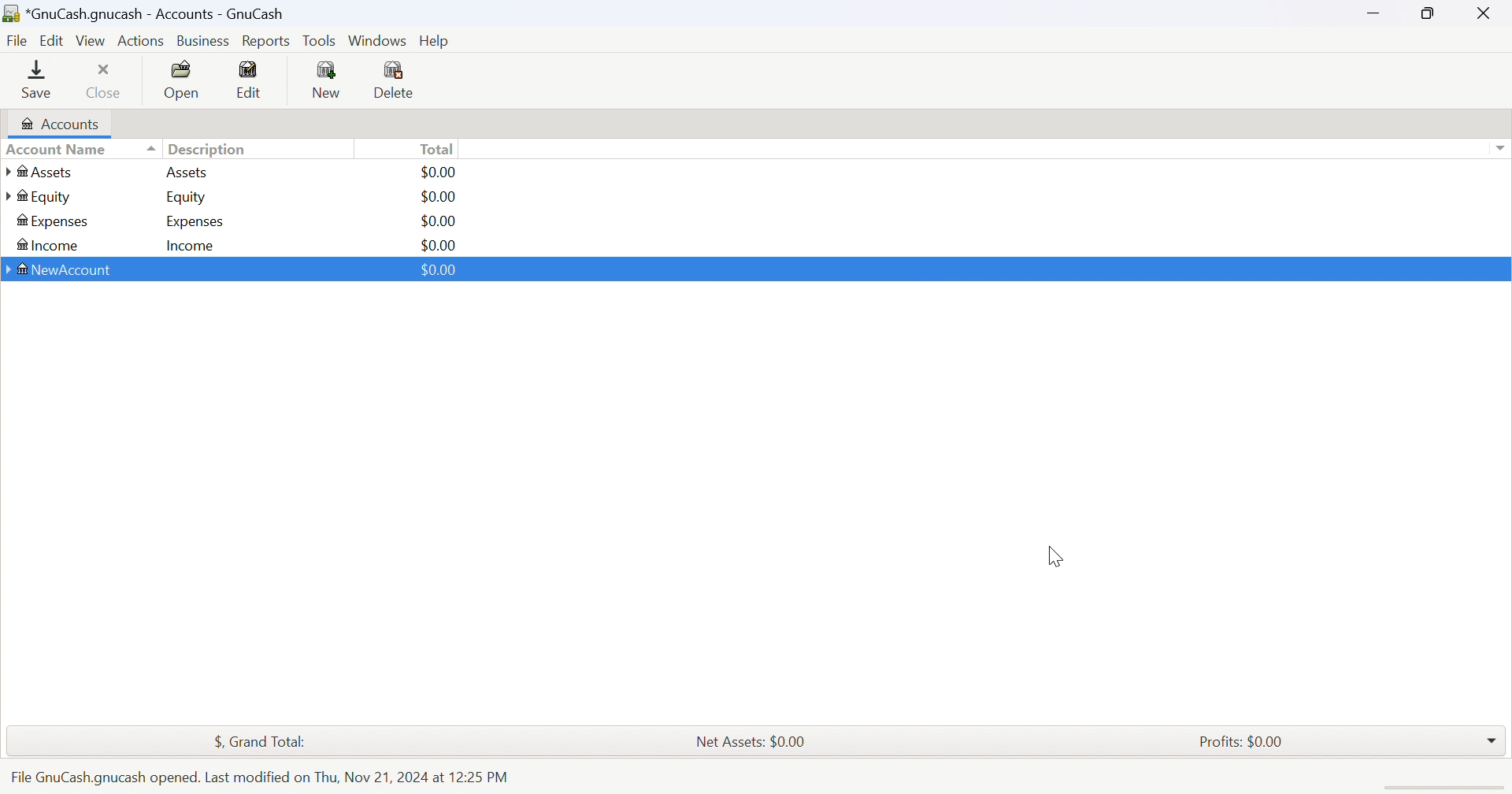  Describe the element at coordinates (195, 222) in the screenshot. I see `Expenses` at that location.